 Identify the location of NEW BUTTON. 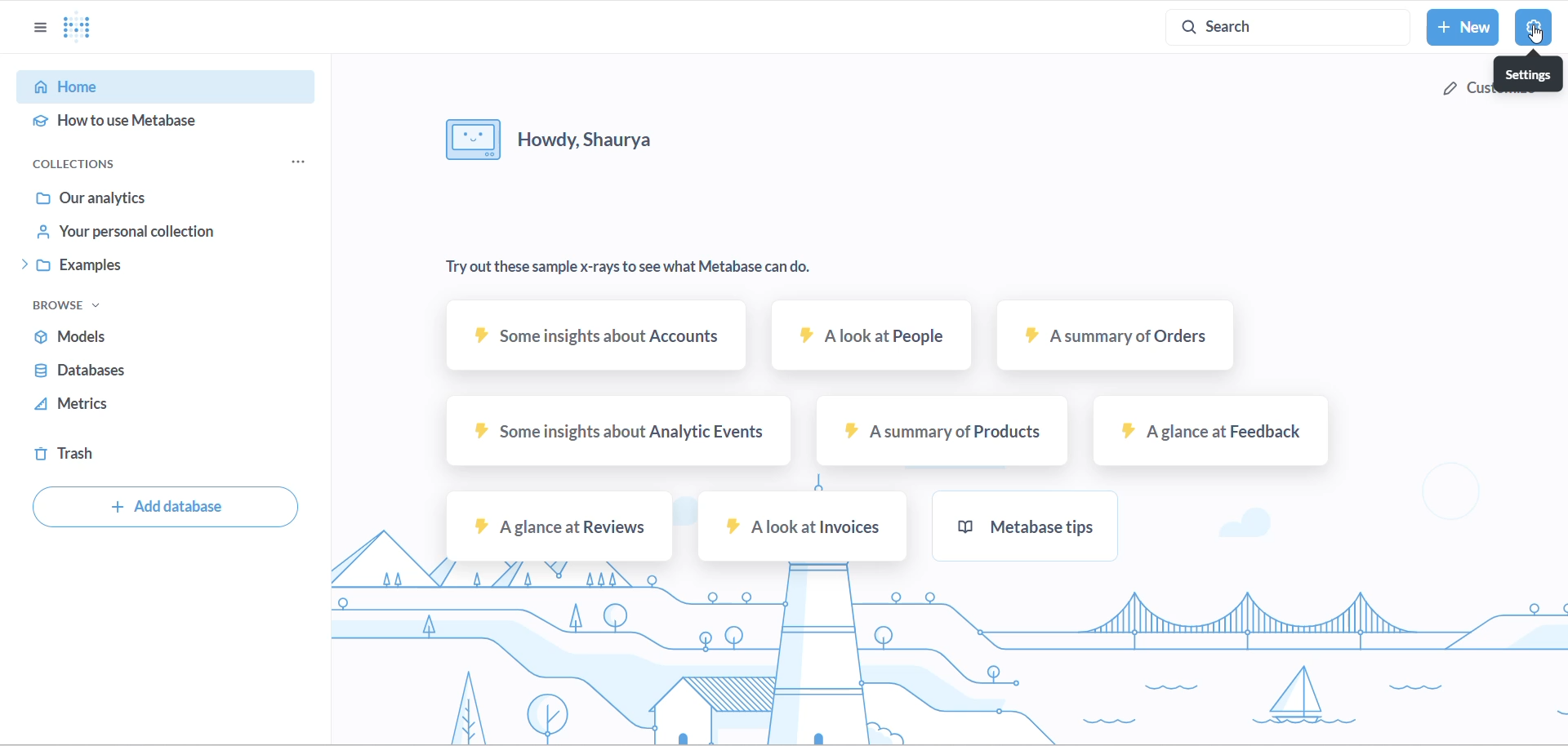
(1463, 27).